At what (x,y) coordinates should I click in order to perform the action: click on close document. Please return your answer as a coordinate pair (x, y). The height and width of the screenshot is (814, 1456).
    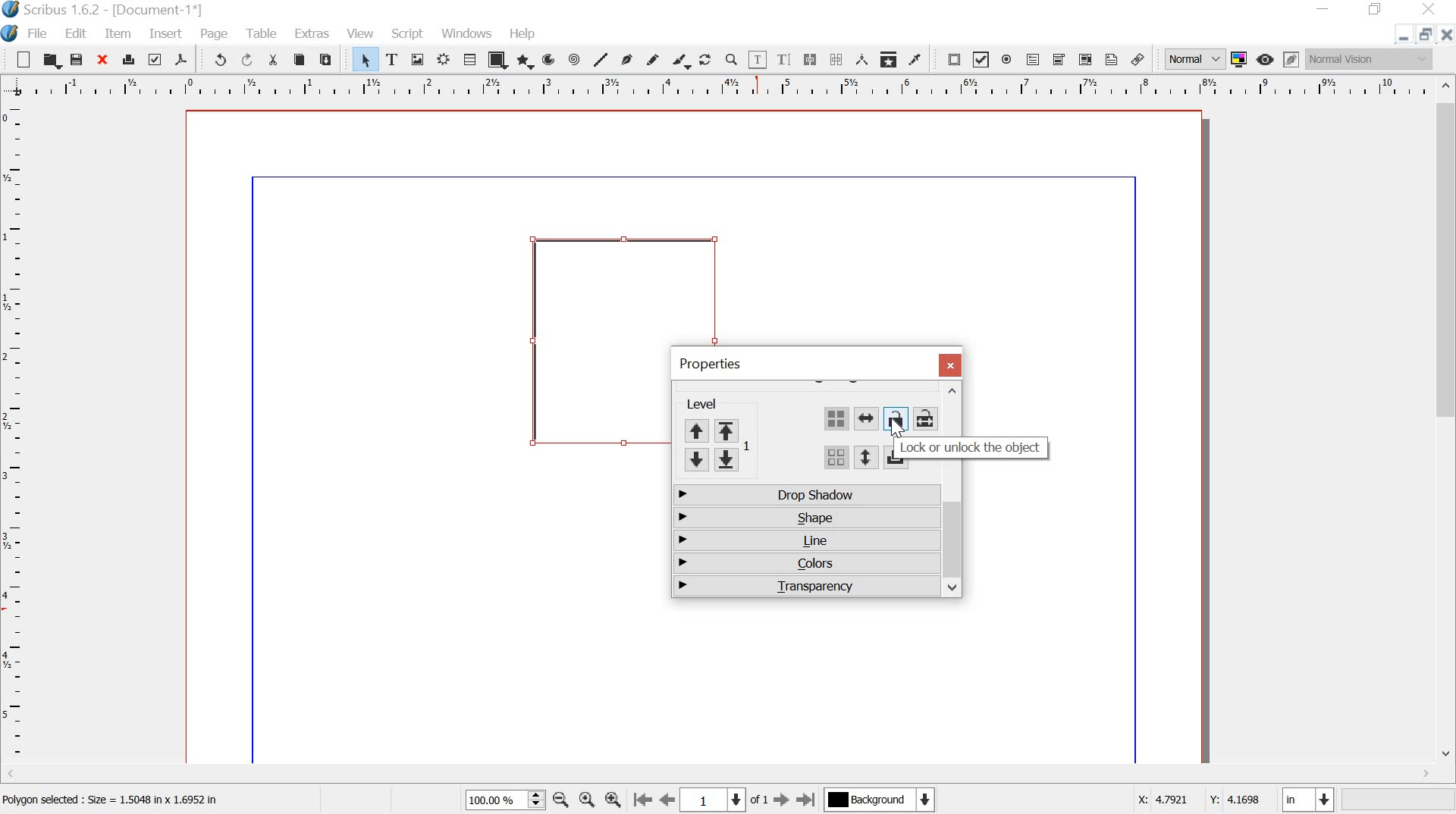
    Looking at the image, I should click on (1445, 35).